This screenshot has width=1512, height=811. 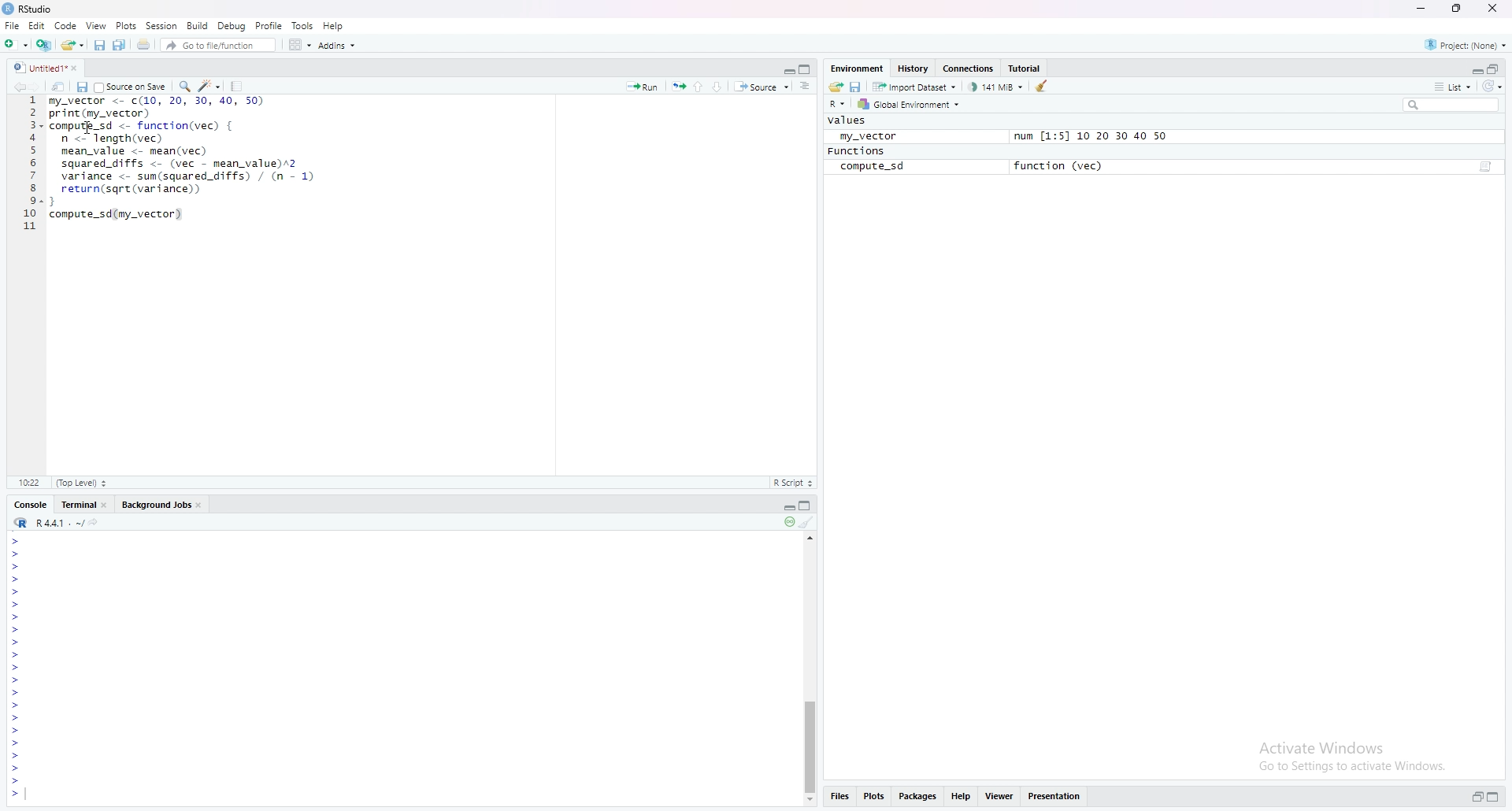 I want to click on Save current document (Ctrl + S), so click(x=82, y=87).